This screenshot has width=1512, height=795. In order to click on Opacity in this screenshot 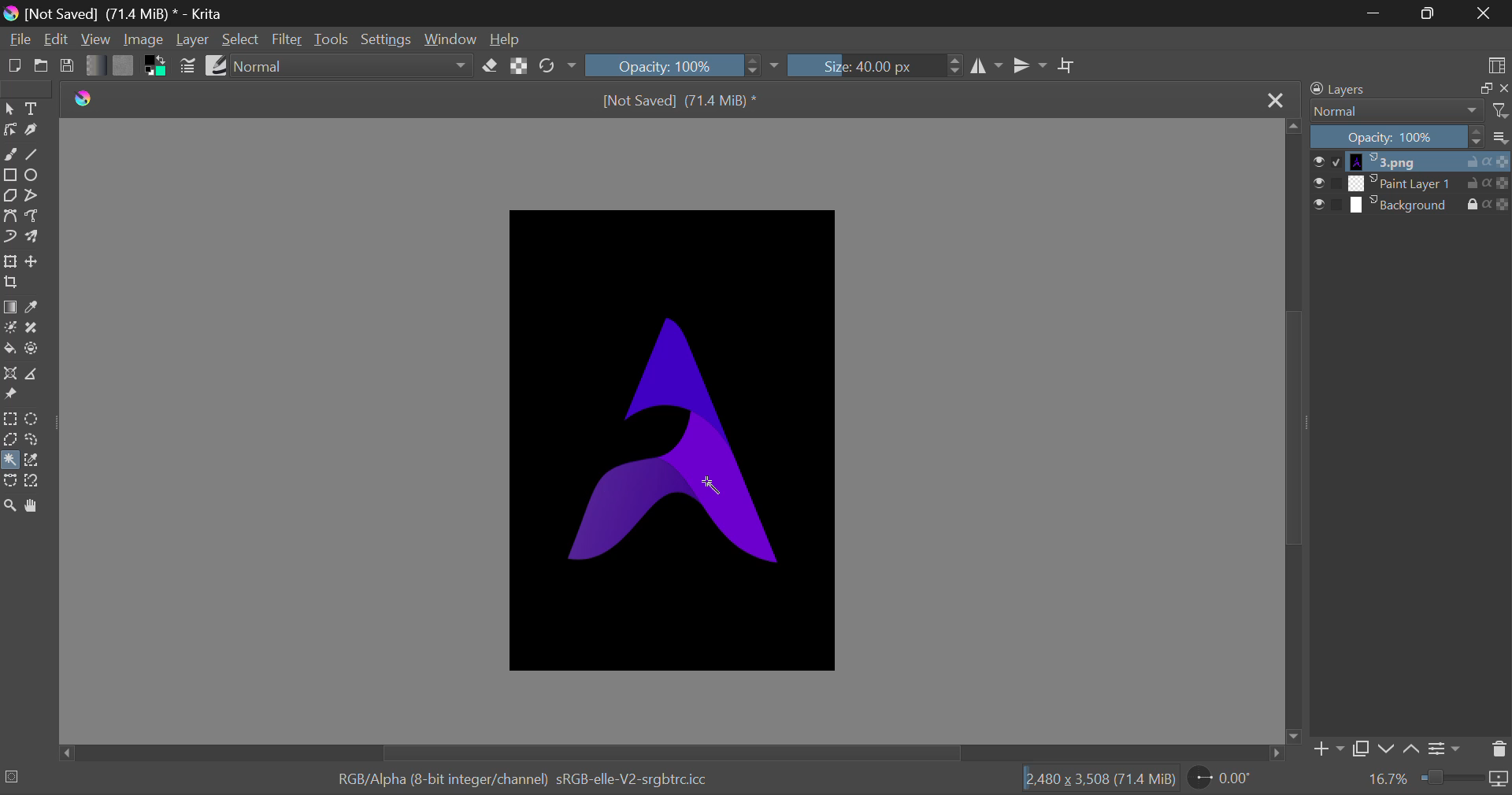, I will do `click(674, 67)`.